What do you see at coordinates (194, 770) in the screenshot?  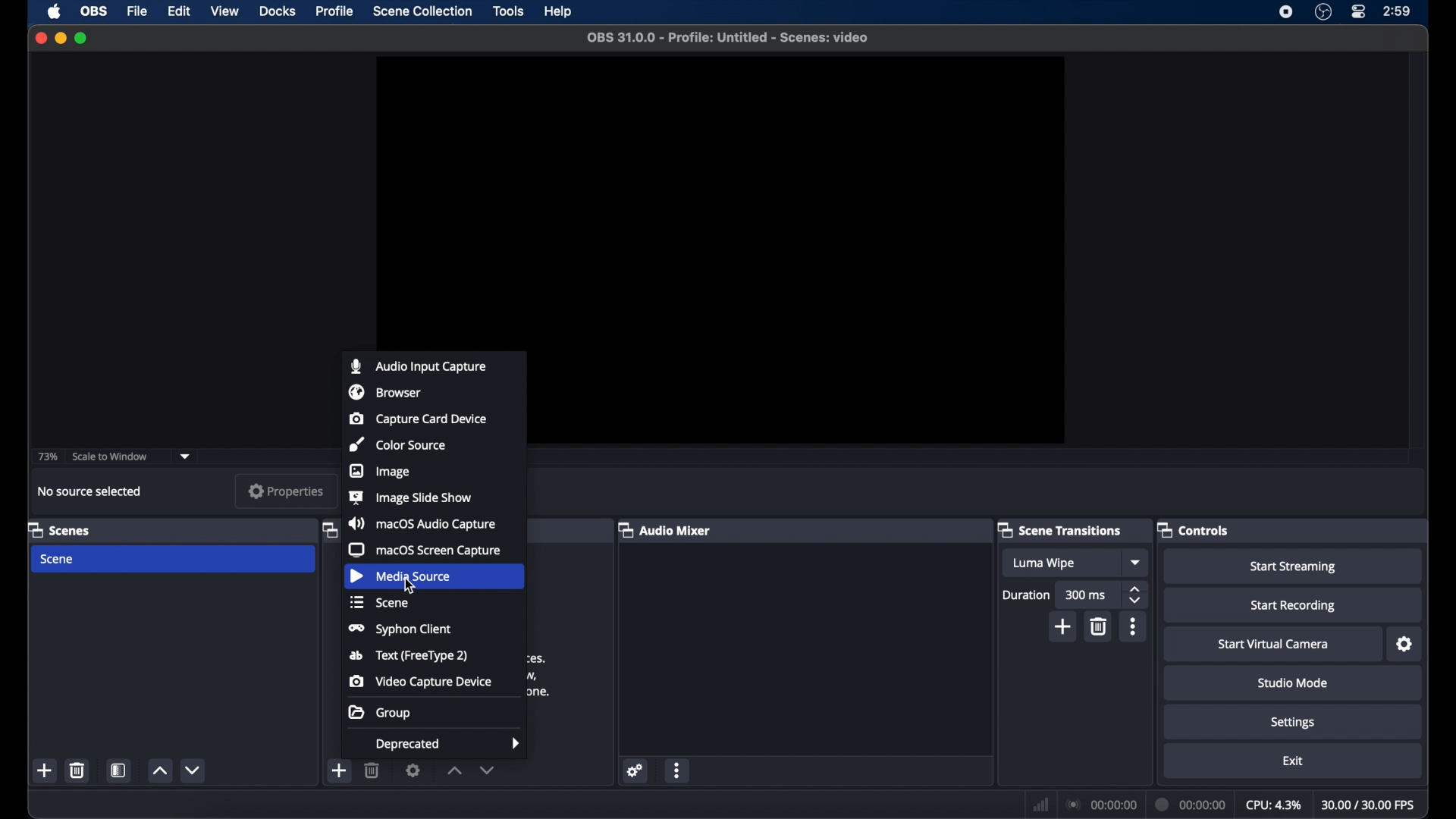 I see `decrement` at bounding box center [194, 770].